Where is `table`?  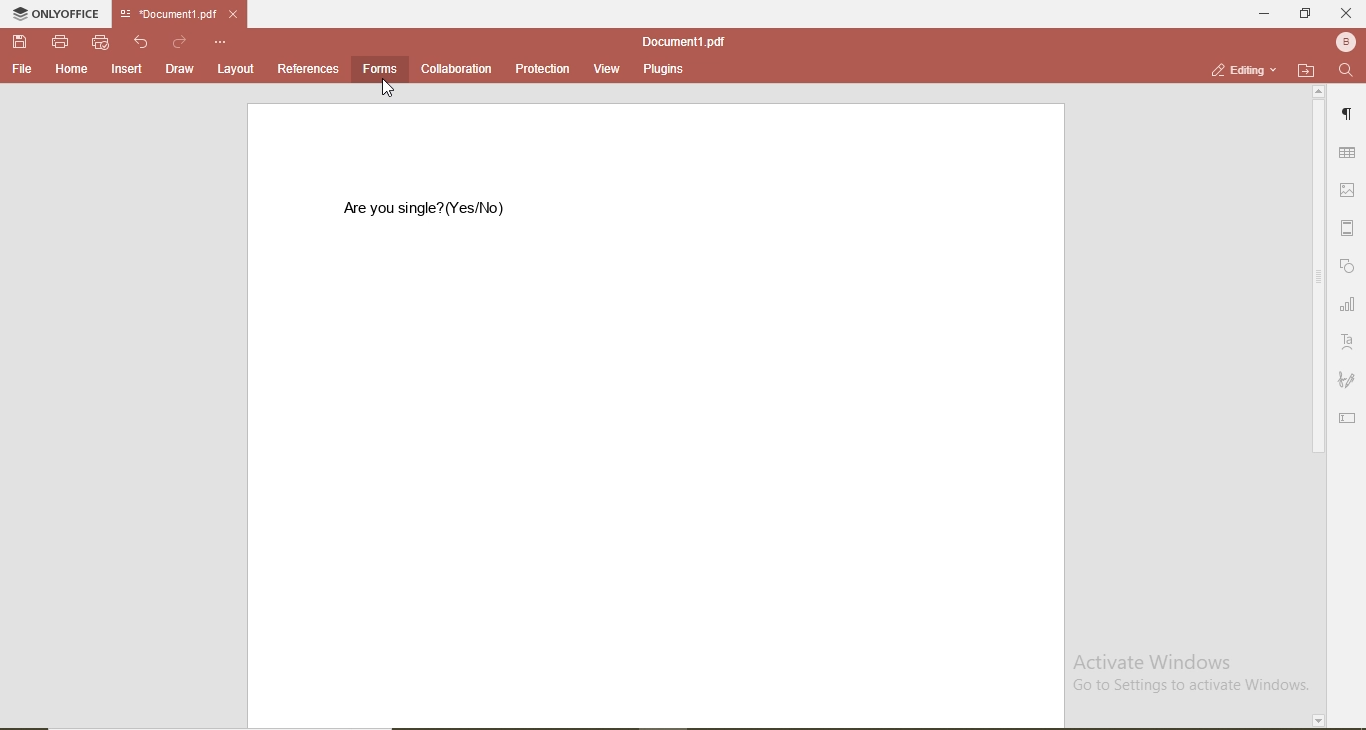
table is located at coordinates (1346, 154).